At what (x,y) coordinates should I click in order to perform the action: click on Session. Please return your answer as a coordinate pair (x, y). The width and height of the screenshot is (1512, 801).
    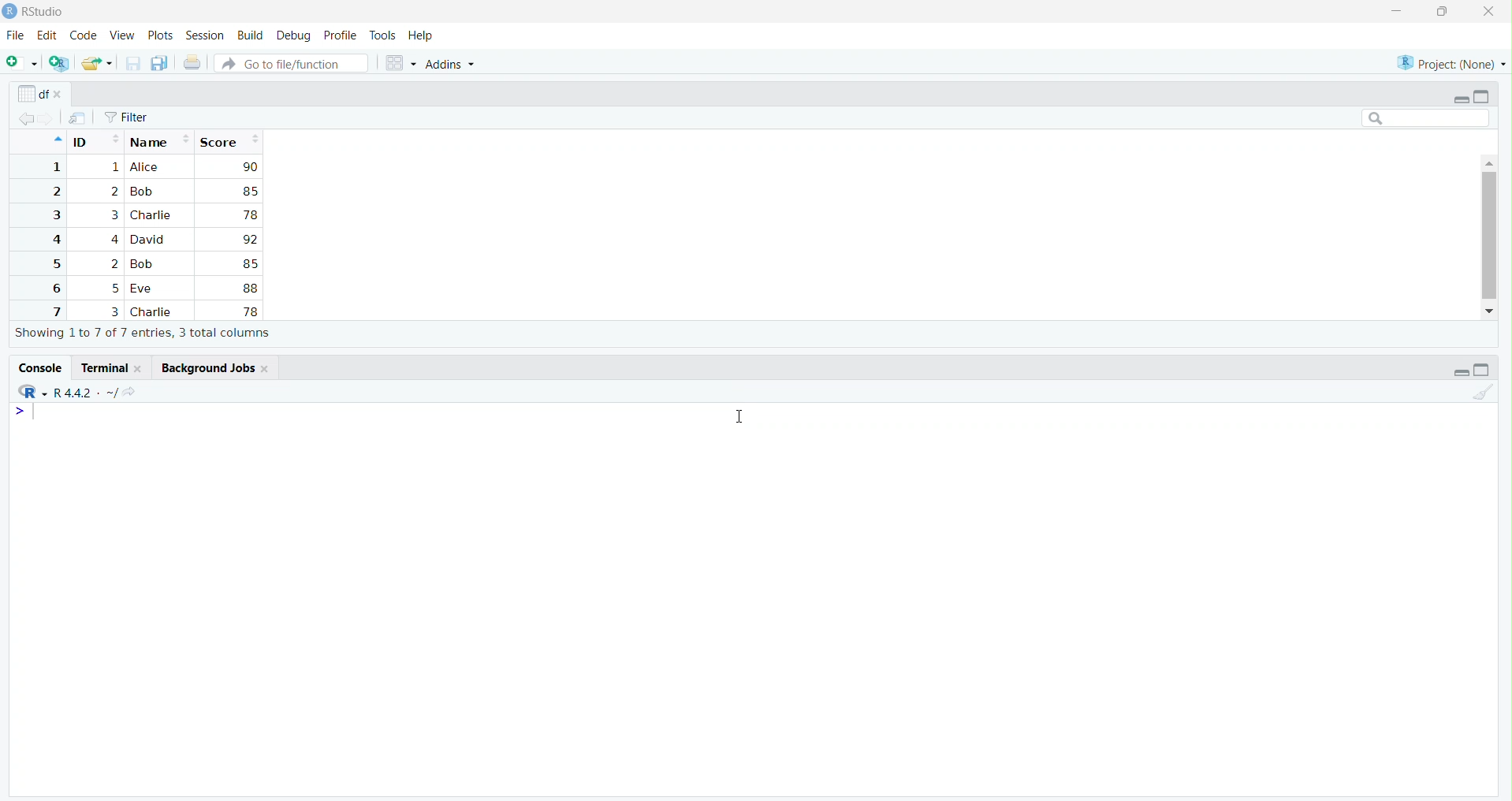
    Looking at the image, I should click on (206, 35).